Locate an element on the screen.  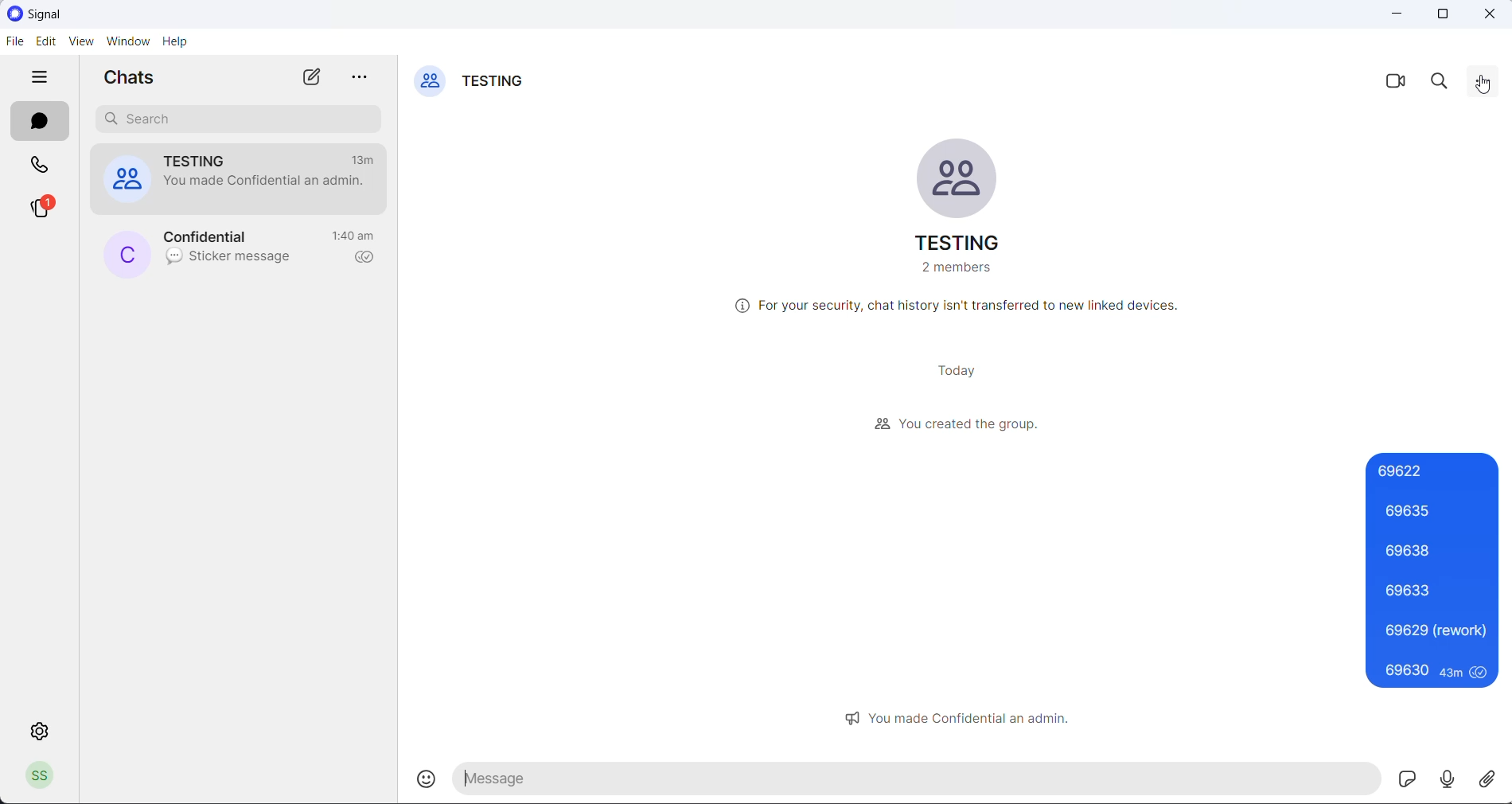
group name is located at coordinates (207, 161).